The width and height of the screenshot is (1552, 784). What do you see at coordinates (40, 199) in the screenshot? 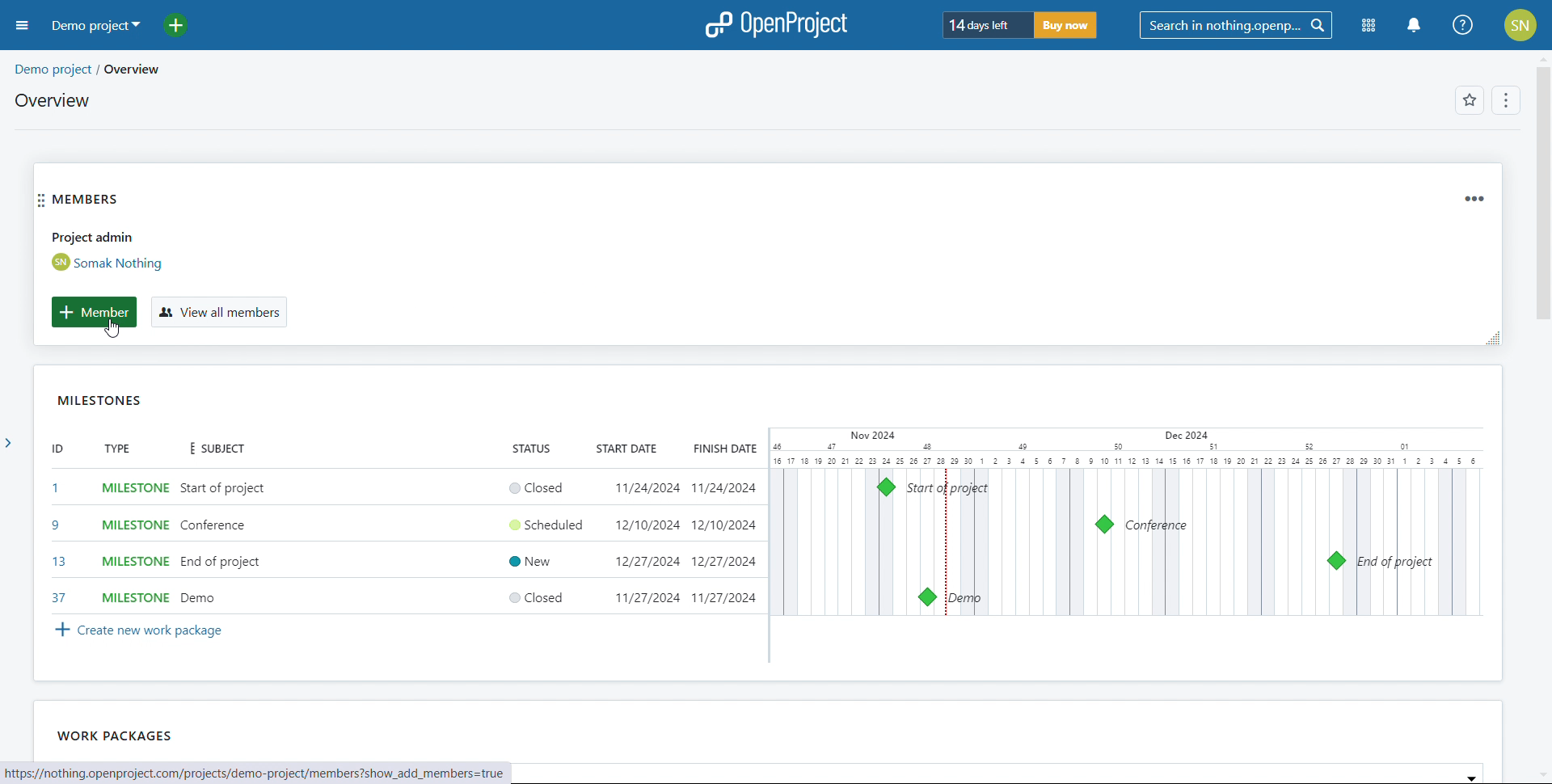
I see `move widget` at bounding box center [40, 199].